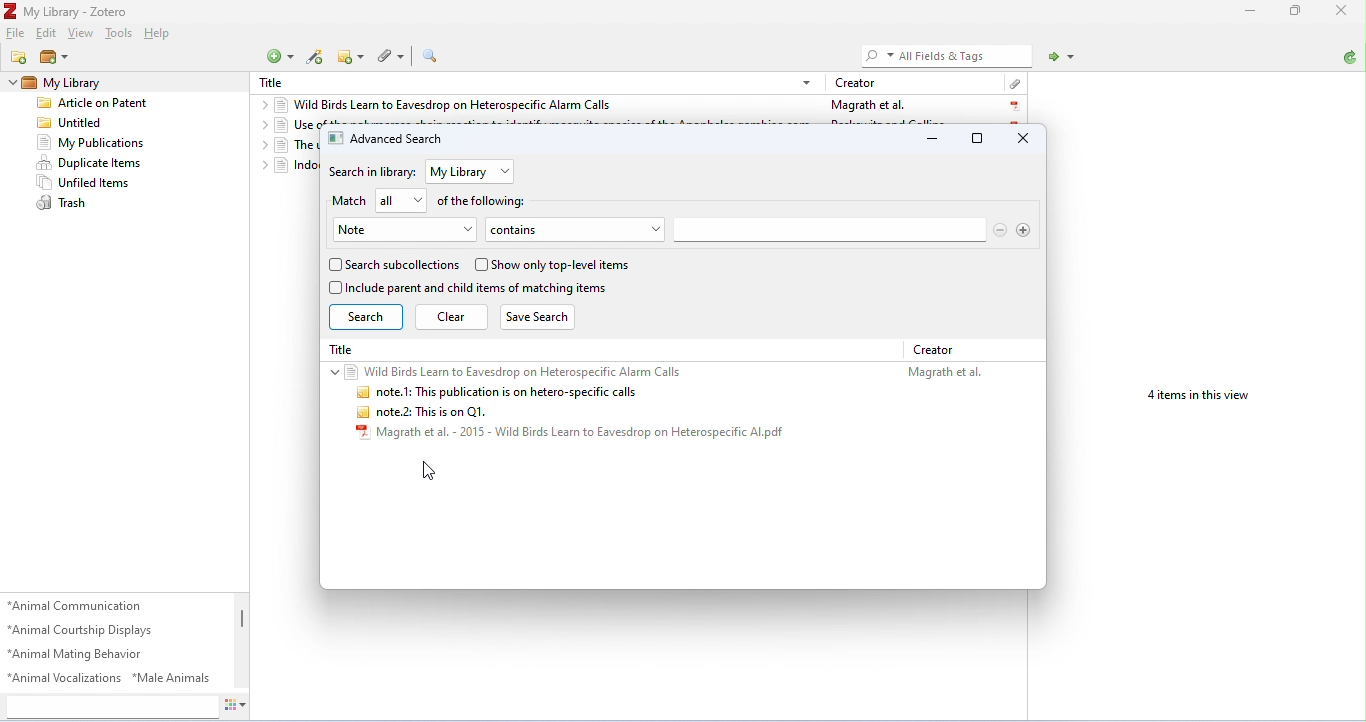  What do you see at coordinates (259, 165) in the screenshot?
I see `drop-down` at bounding box center [259, 165].